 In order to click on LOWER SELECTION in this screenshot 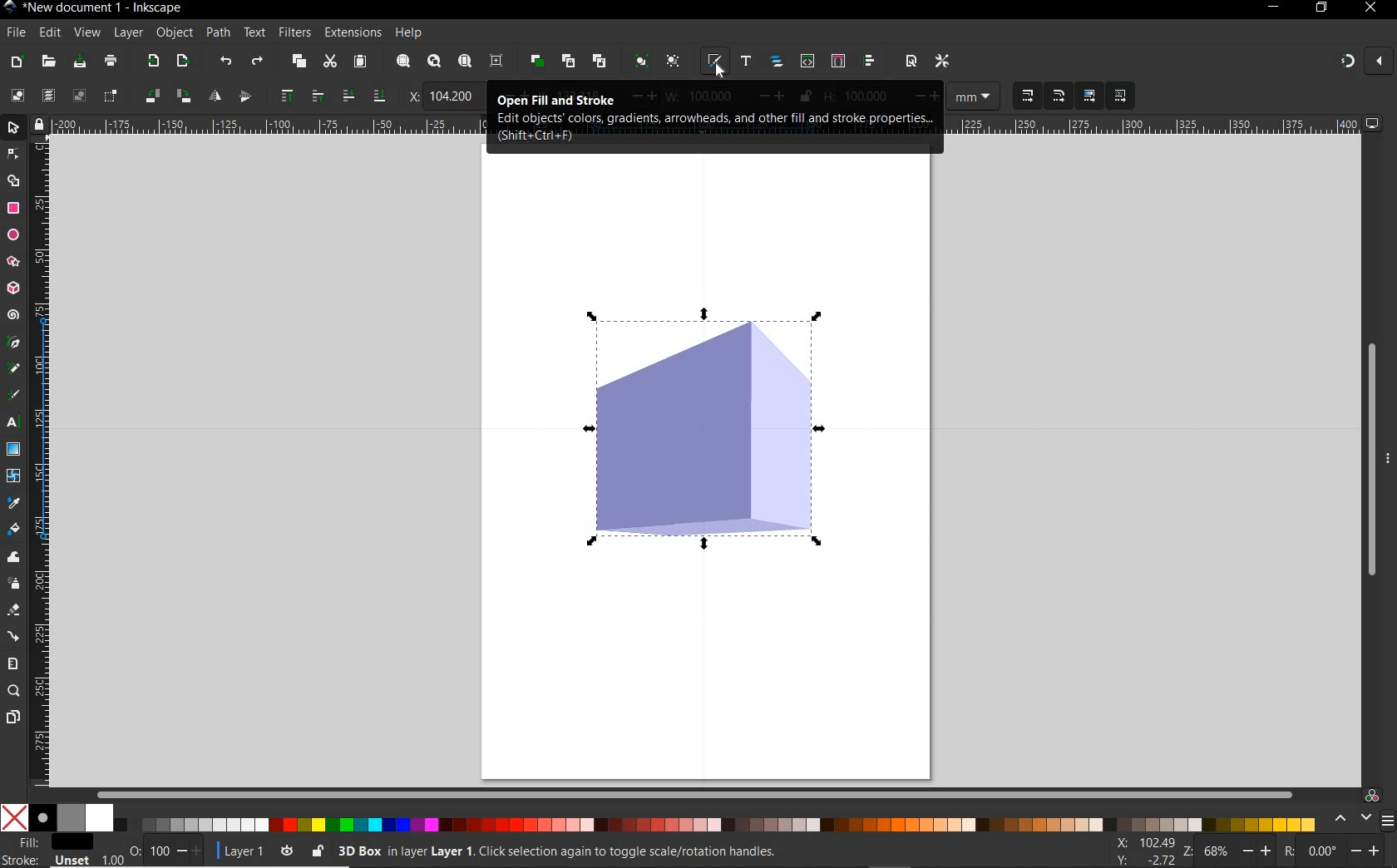, I will do `click(346, 96)`.